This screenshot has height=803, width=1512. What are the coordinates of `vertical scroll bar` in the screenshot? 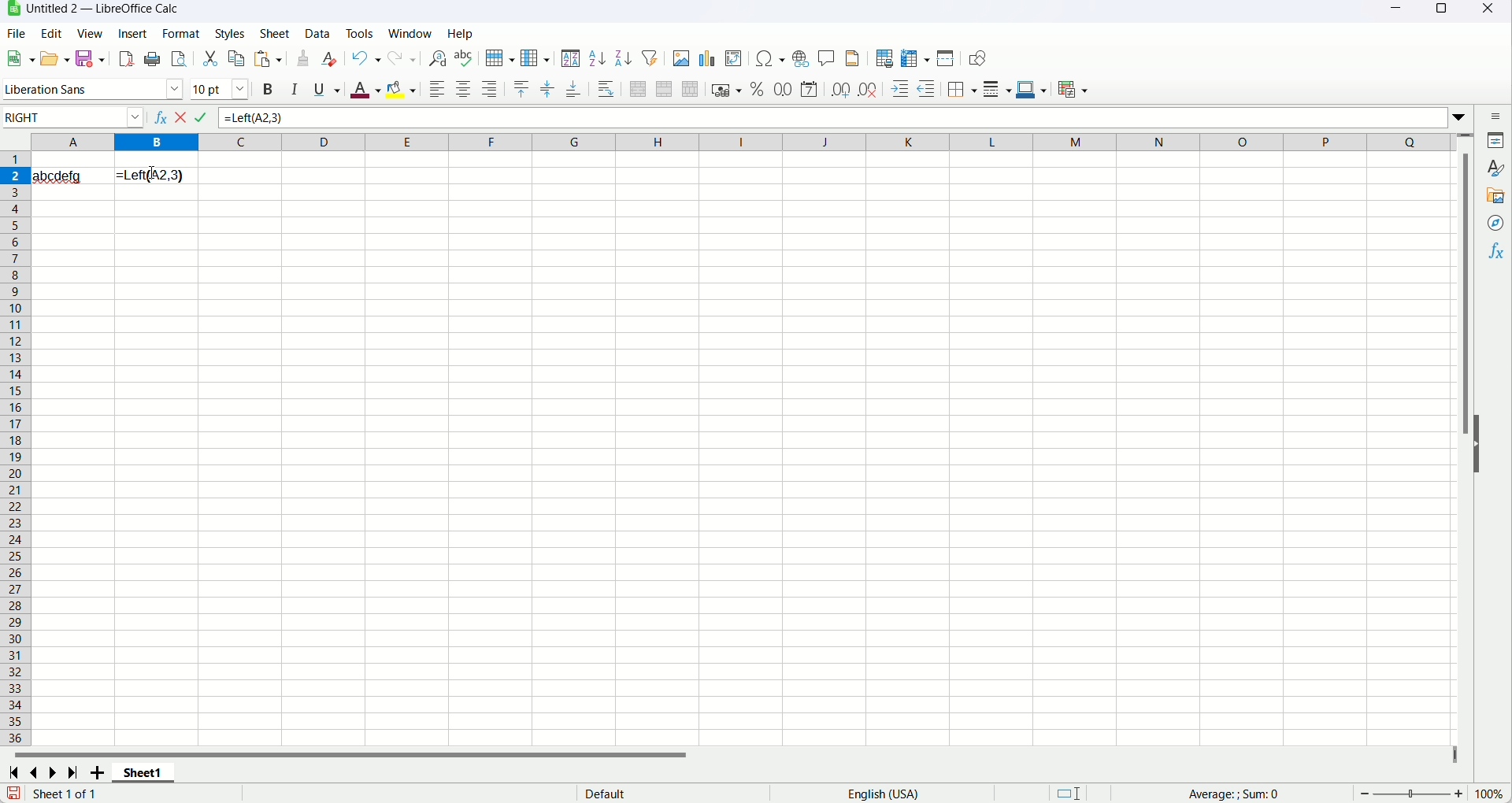 It's located at (1469, 445).